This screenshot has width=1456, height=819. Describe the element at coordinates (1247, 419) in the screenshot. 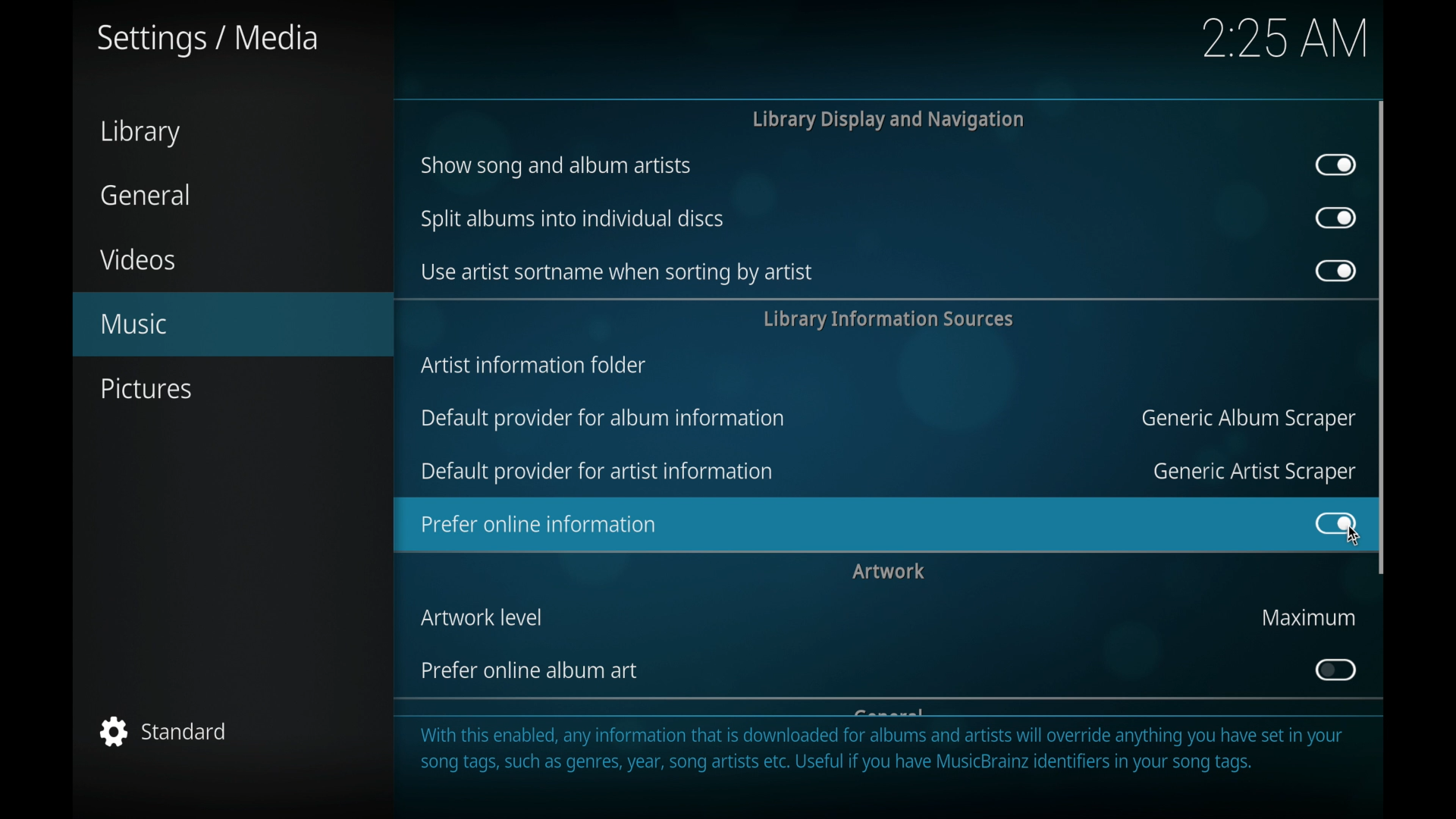

I see `generic album scraper` at that location.